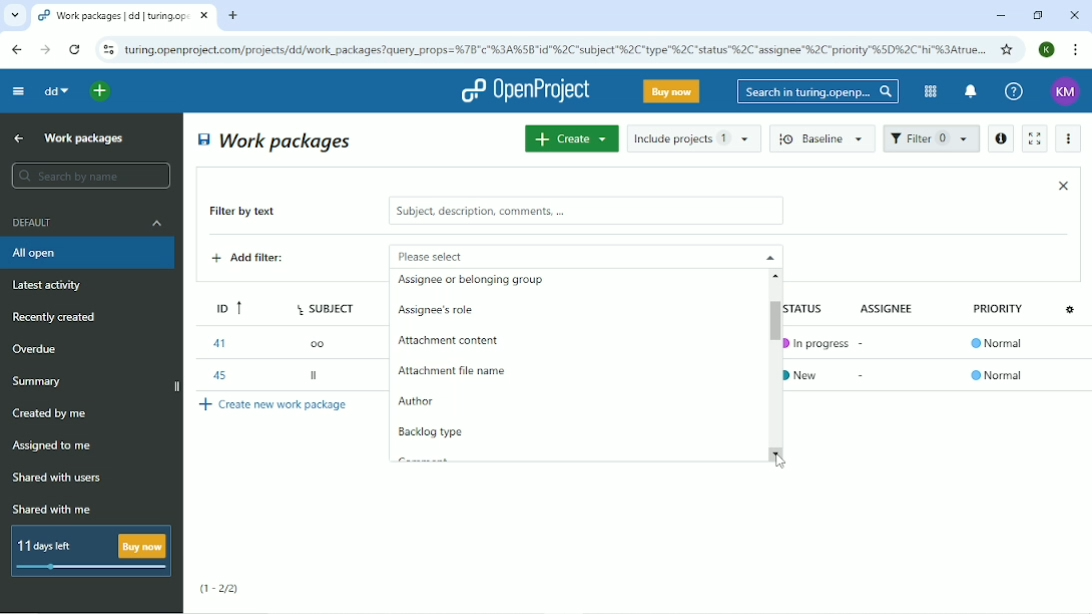 This screenshot has height=614, width=1092. I want to click on Author, so click(416, 403).